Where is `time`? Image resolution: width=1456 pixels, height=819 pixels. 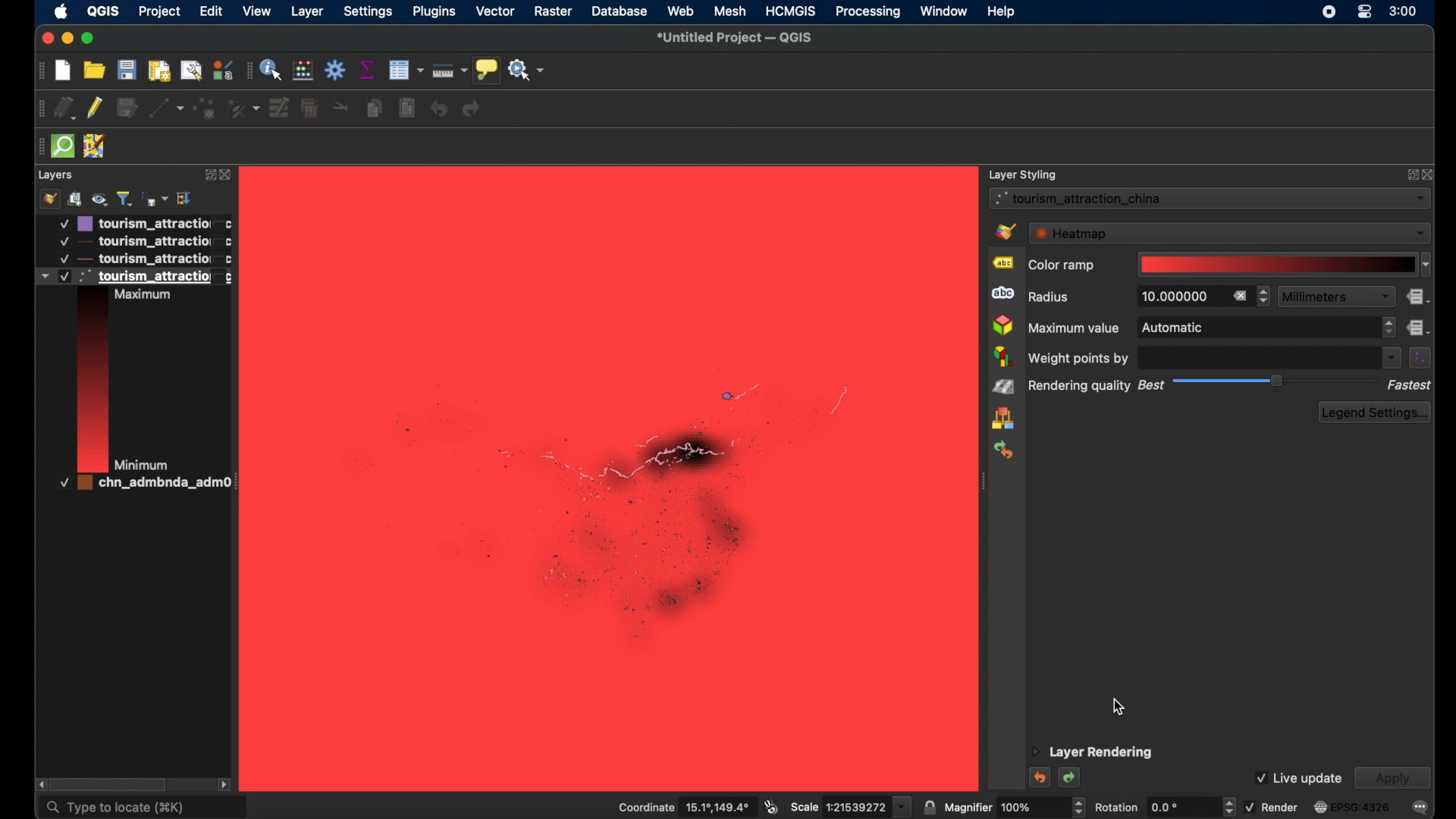 time is located at coordinates (1404, 13).